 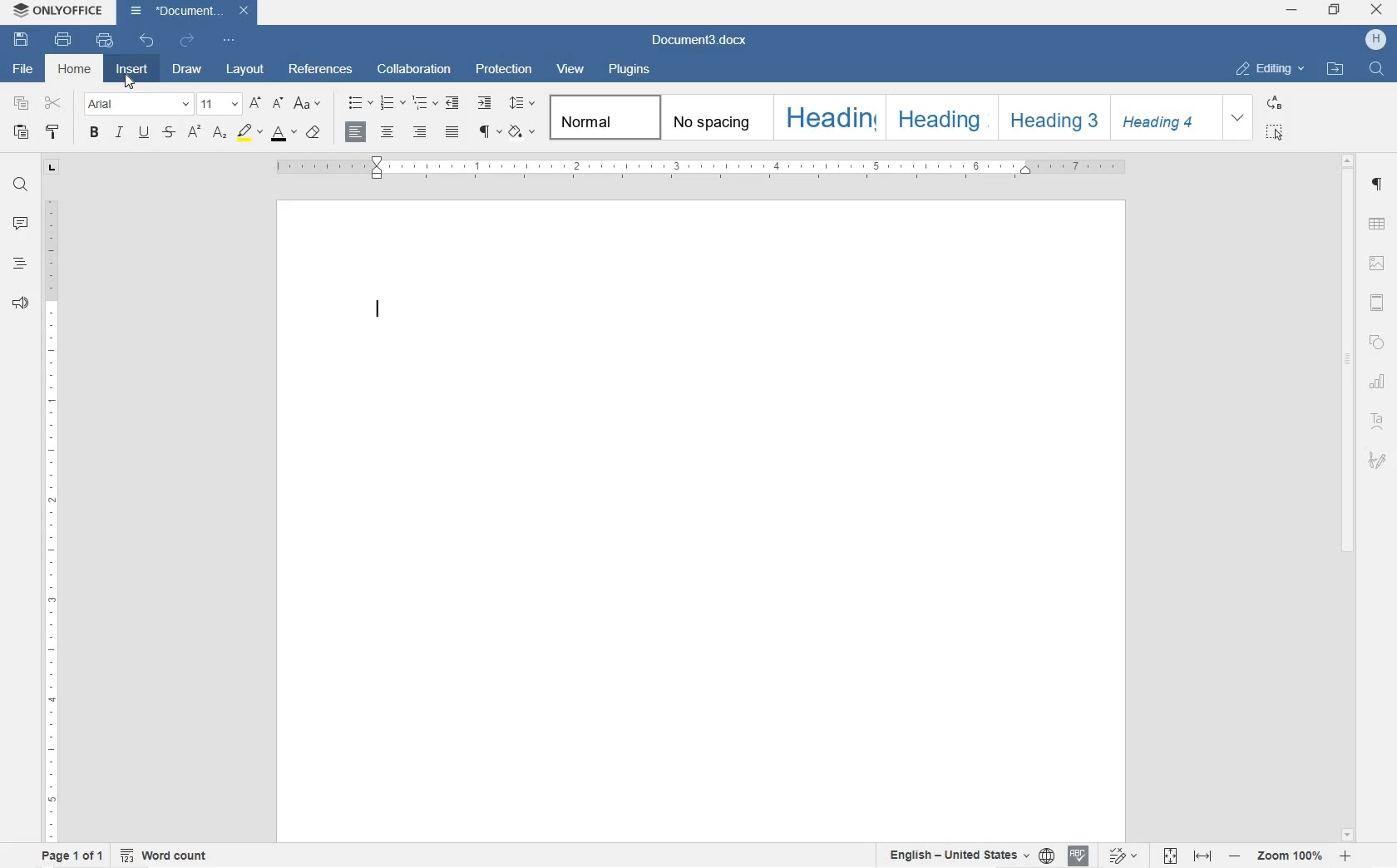 What do you see at coordinates (19, 69) in the screenshot?
I see `FILE` at bounding box center [19, 69].